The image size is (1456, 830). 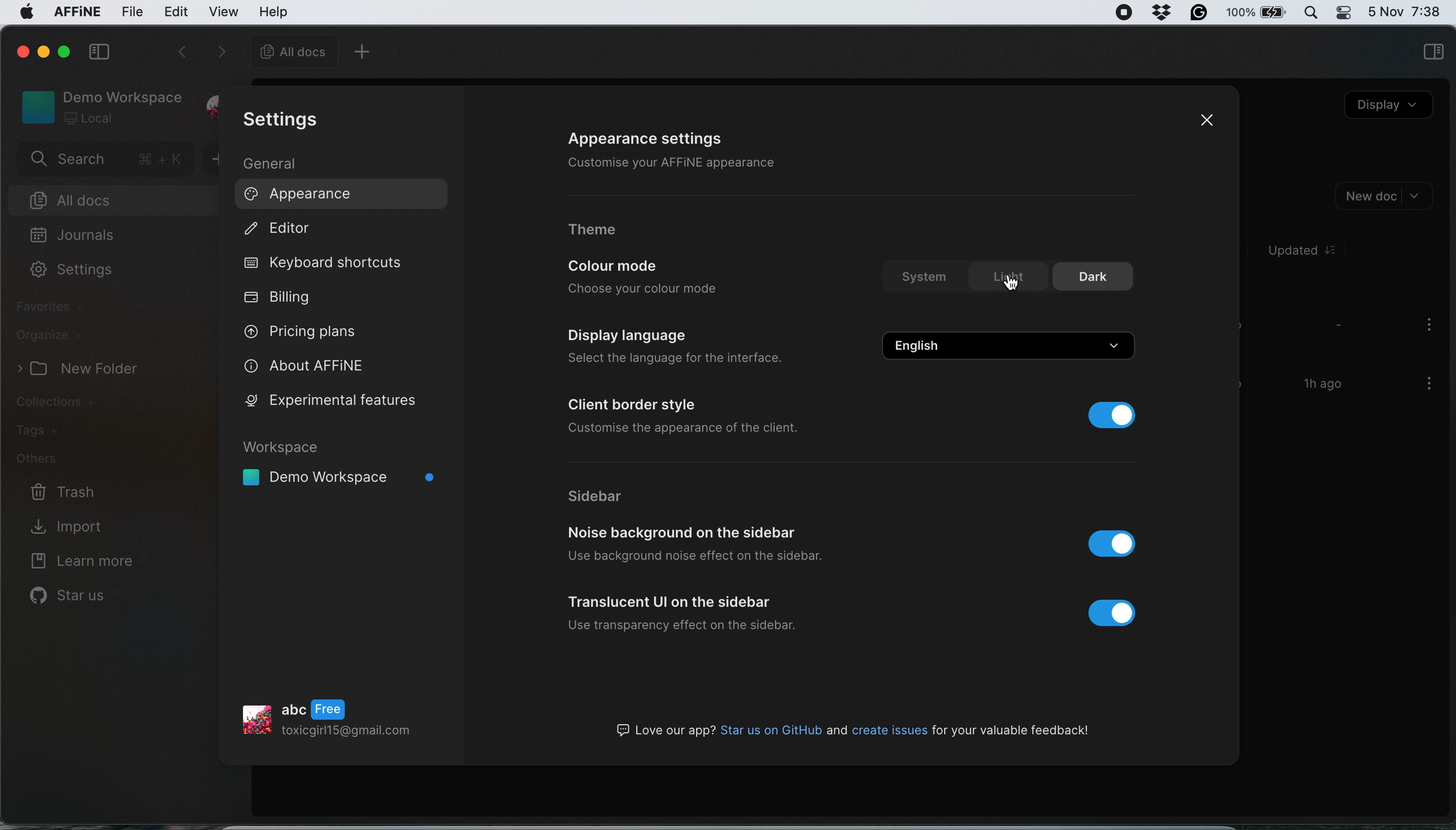 What do you see at coordinates (274, 164) in the screenshot?
I see `general` at bounding box center [274, 164].